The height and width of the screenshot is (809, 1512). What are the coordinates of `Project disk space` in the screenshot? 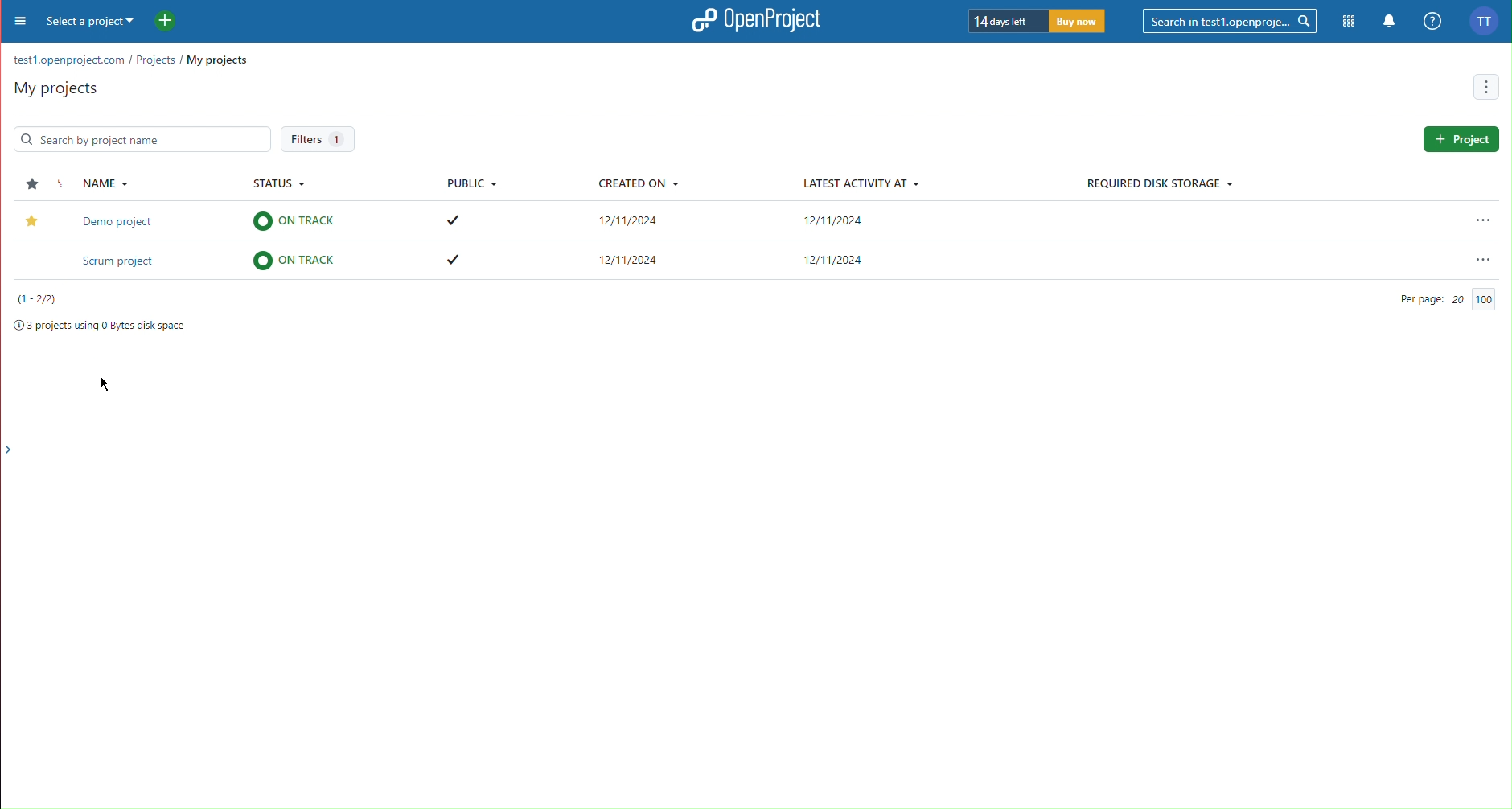 It's located at (97, 327).